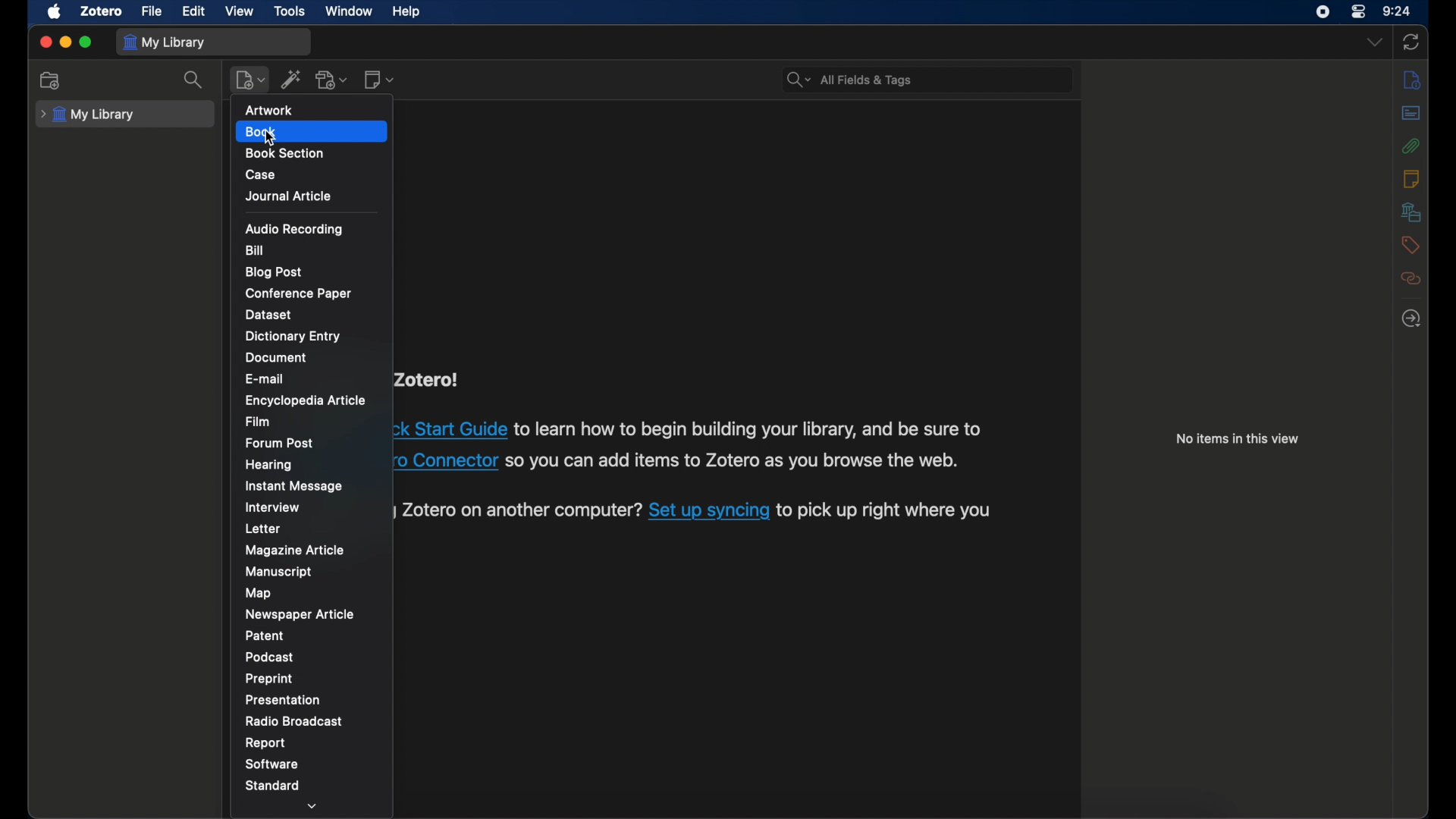  What do you see at coordinates (292, 335) in the screenshot?
I see `dictionary entry` at bounding box center [292, 335].